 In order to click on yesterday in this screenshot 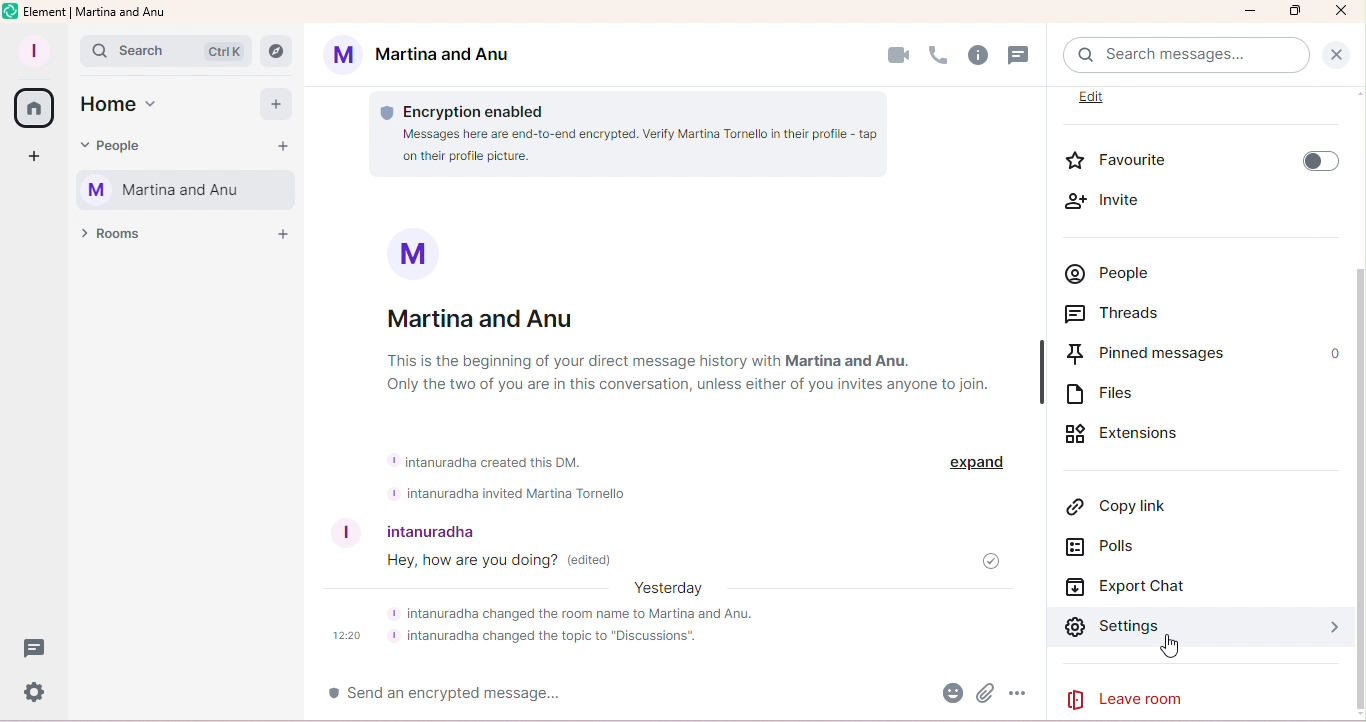, I will do `click(671, 590)`.